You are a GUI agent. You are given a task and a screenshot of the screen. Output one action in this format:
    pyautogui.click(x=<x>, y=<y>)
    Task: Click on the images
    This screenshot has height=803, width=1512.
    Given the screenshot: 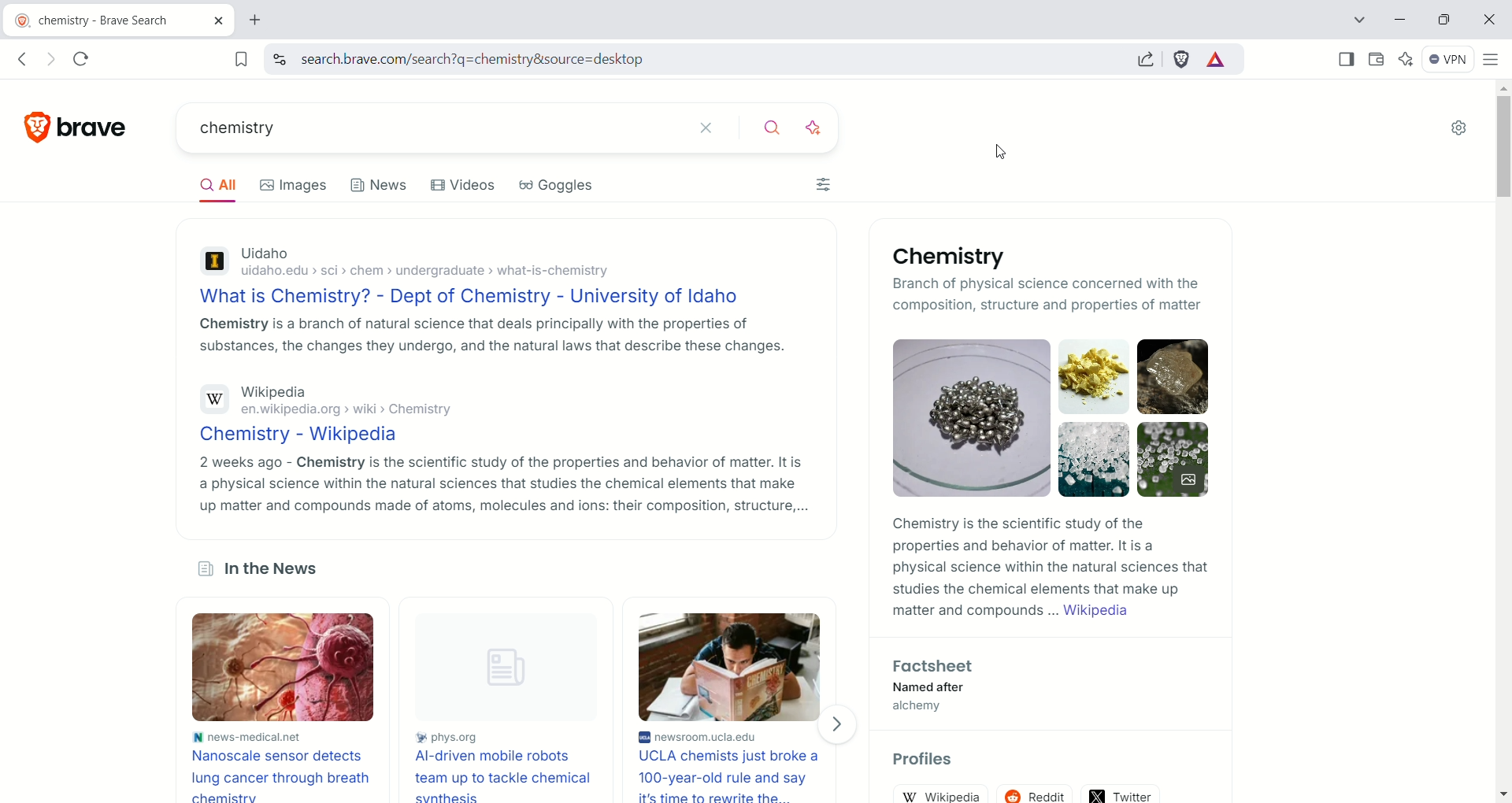 What is the action you would take?
    pyautogui.click(x=295, y=184)
    